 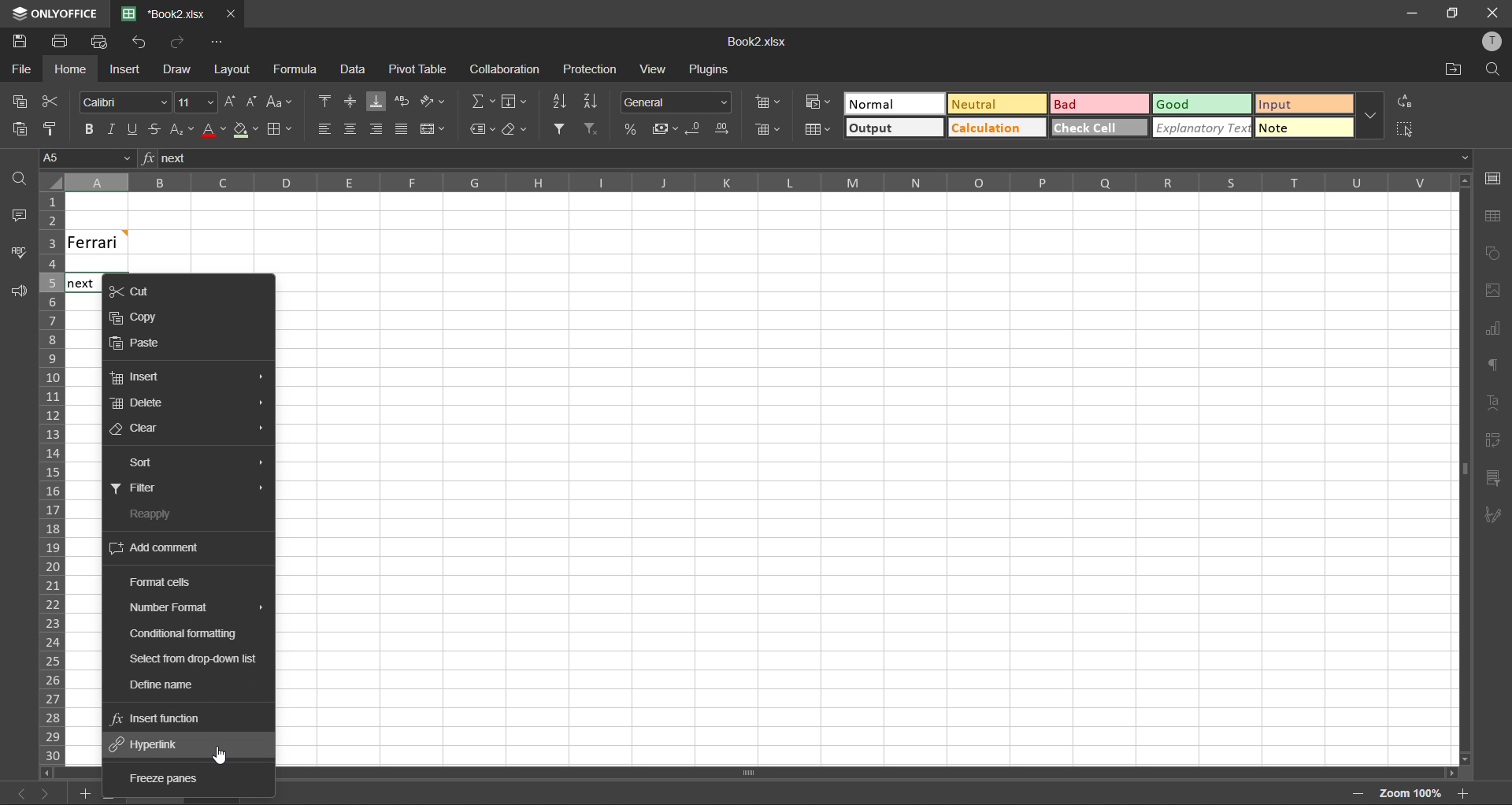 I want to click on undo, so click(x=139, y=42).